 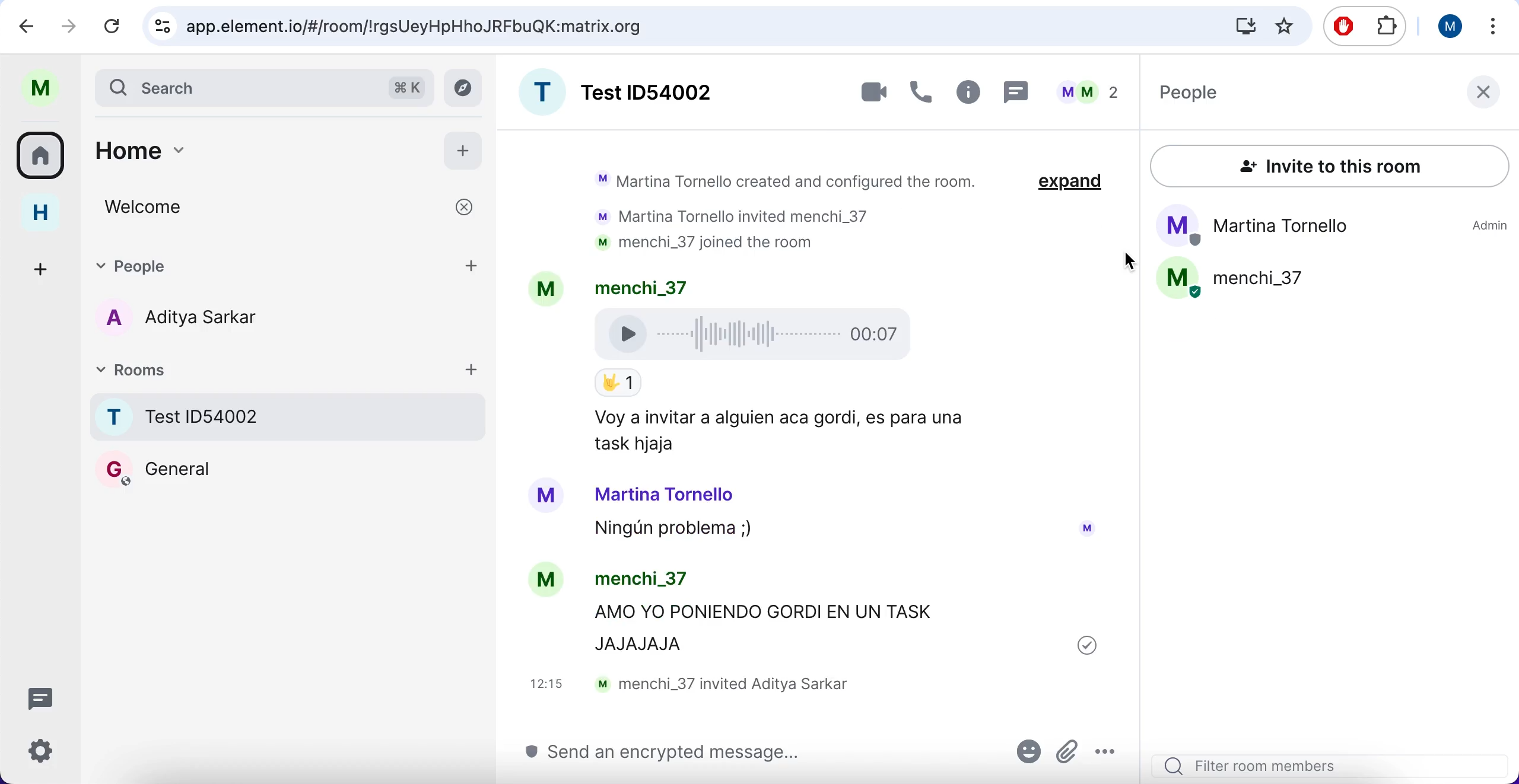 What do you see at coordinates (476, 259) in the screenshot?
I see `add` at bounding box center [476, 259].